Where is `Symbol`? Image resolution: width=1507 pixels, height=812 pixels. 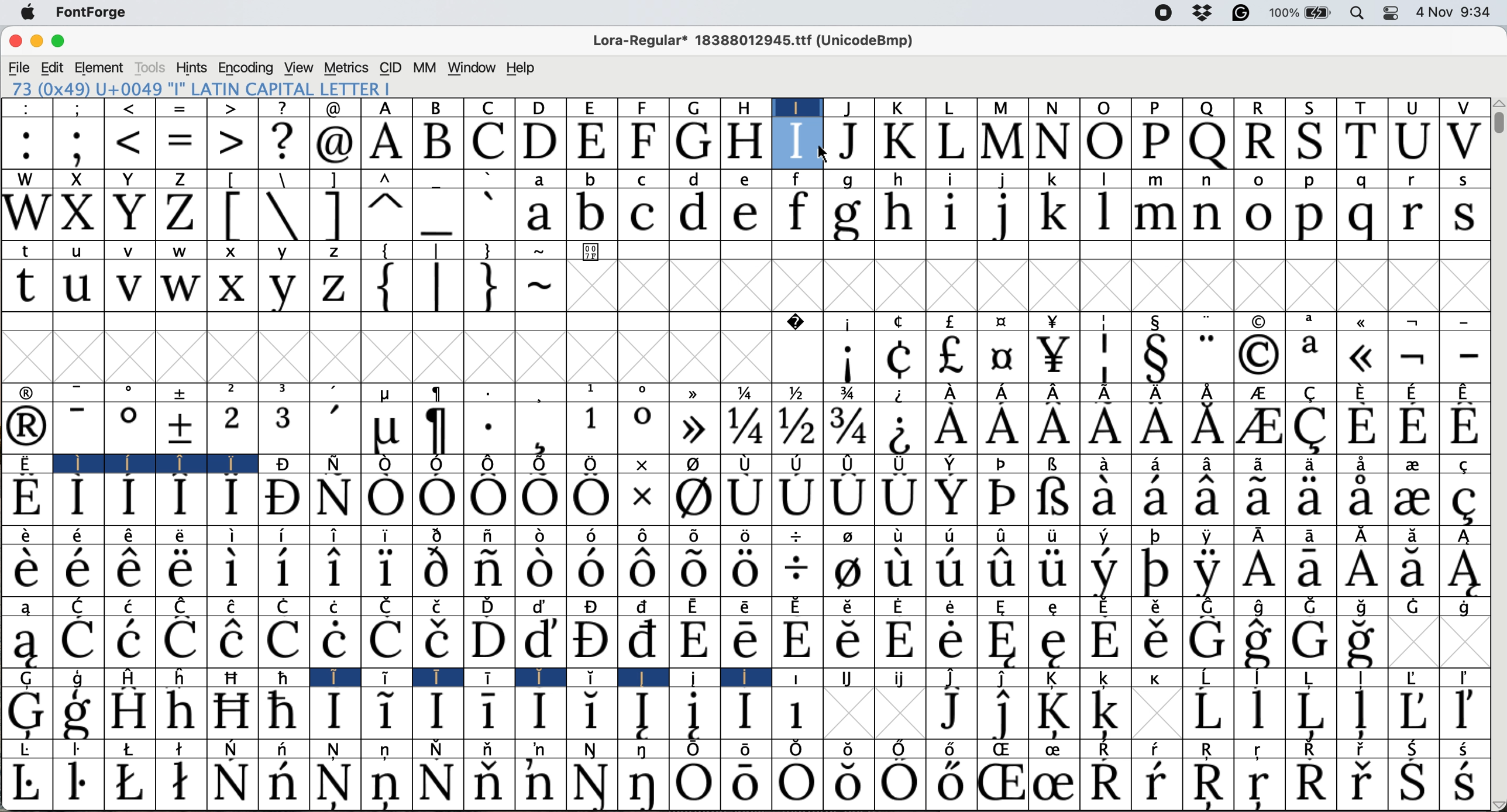 Symbol is located at coordinates (1055, 783).